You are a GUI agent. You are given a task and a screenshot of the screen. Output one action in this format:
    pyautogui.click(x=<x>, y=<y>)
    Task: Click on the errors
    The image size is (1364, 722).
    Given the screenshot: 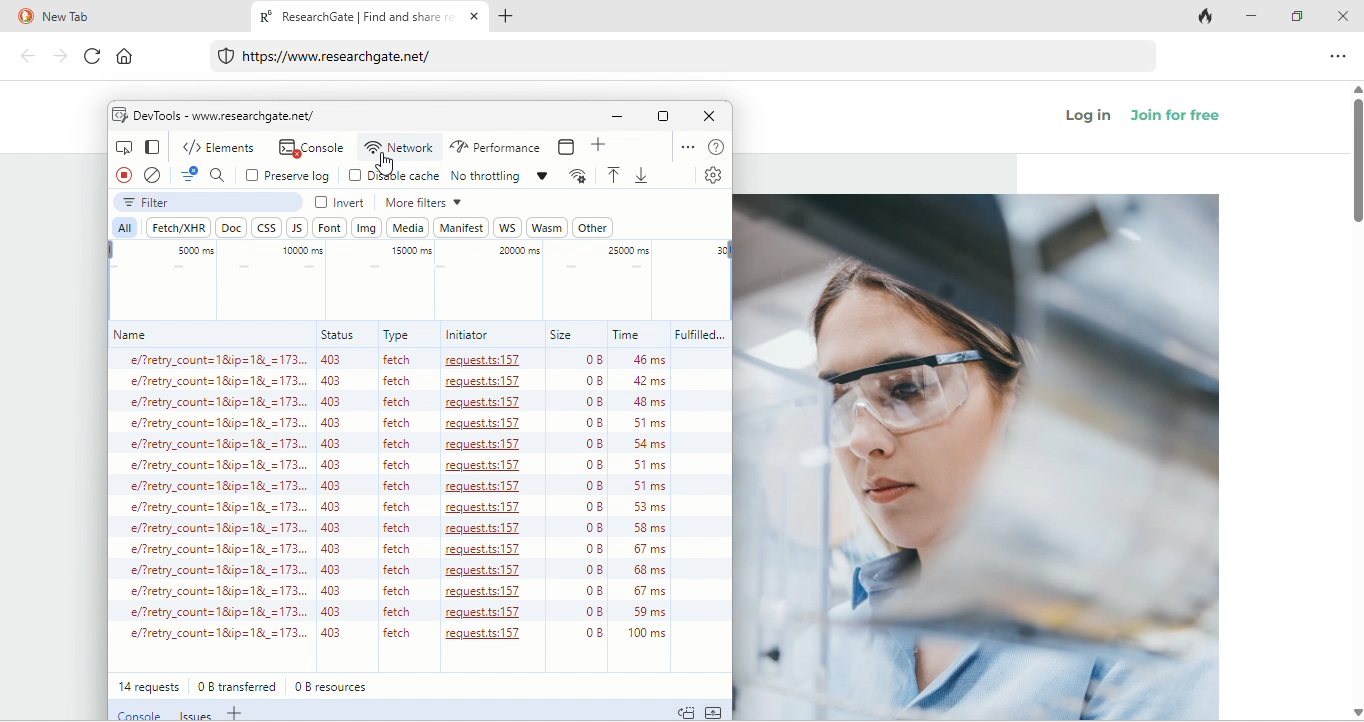 What is the action you would take?
    pyautogui.click(x=186, y=175)
    